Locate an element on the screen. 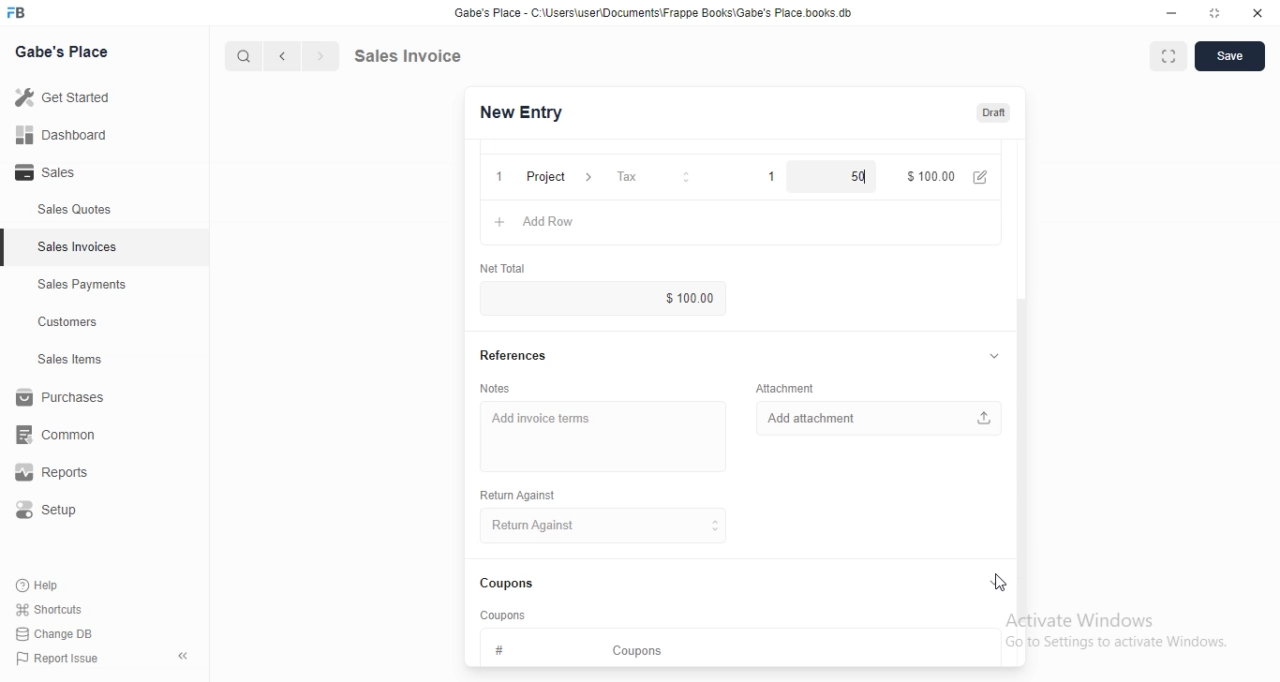 The height and width of the screenshot is (682, 1280). collapse/expand is located at coordinates (994, 584).